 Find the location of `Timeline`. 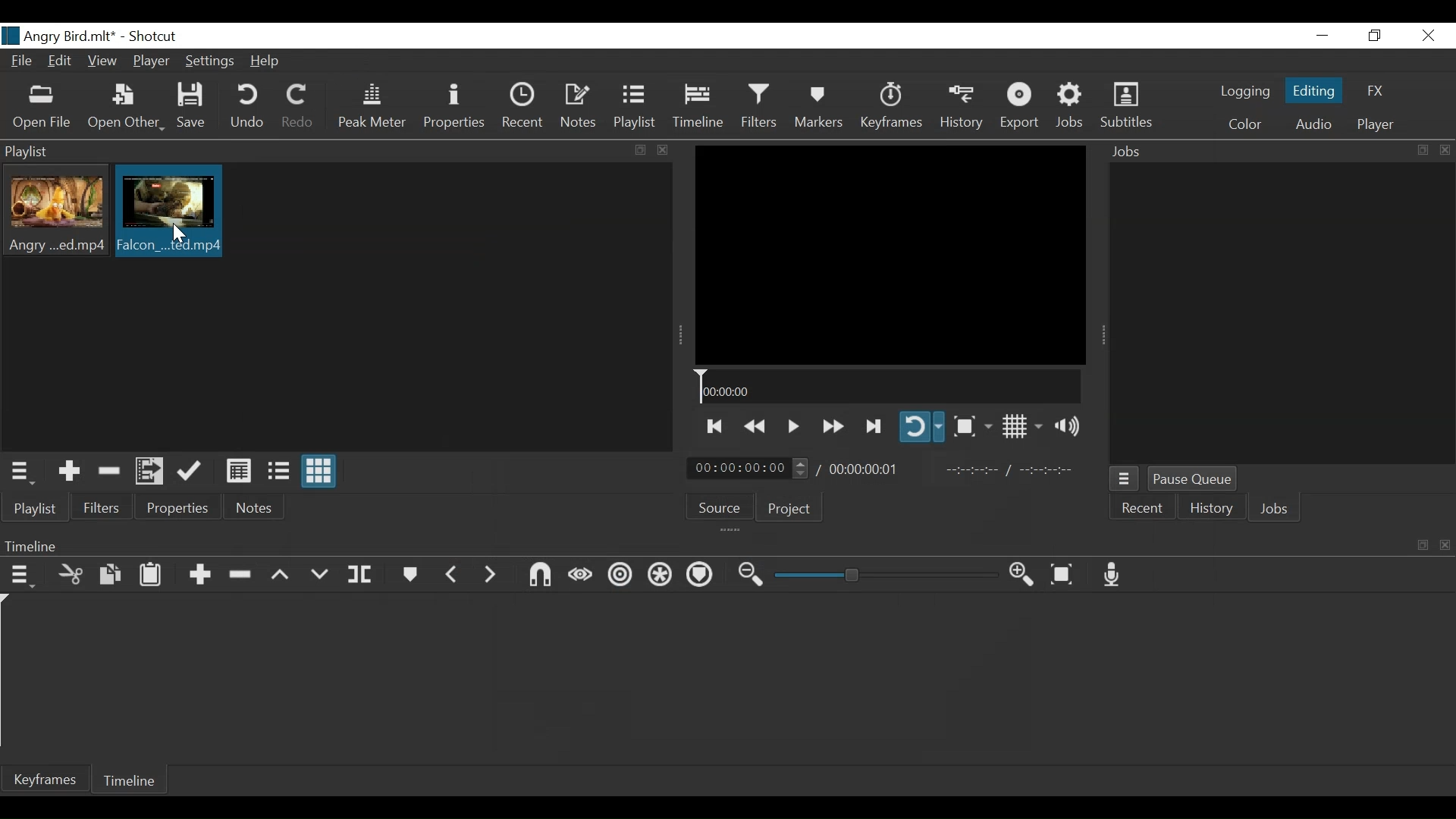

Timeline is located at coordinates (699, 106).